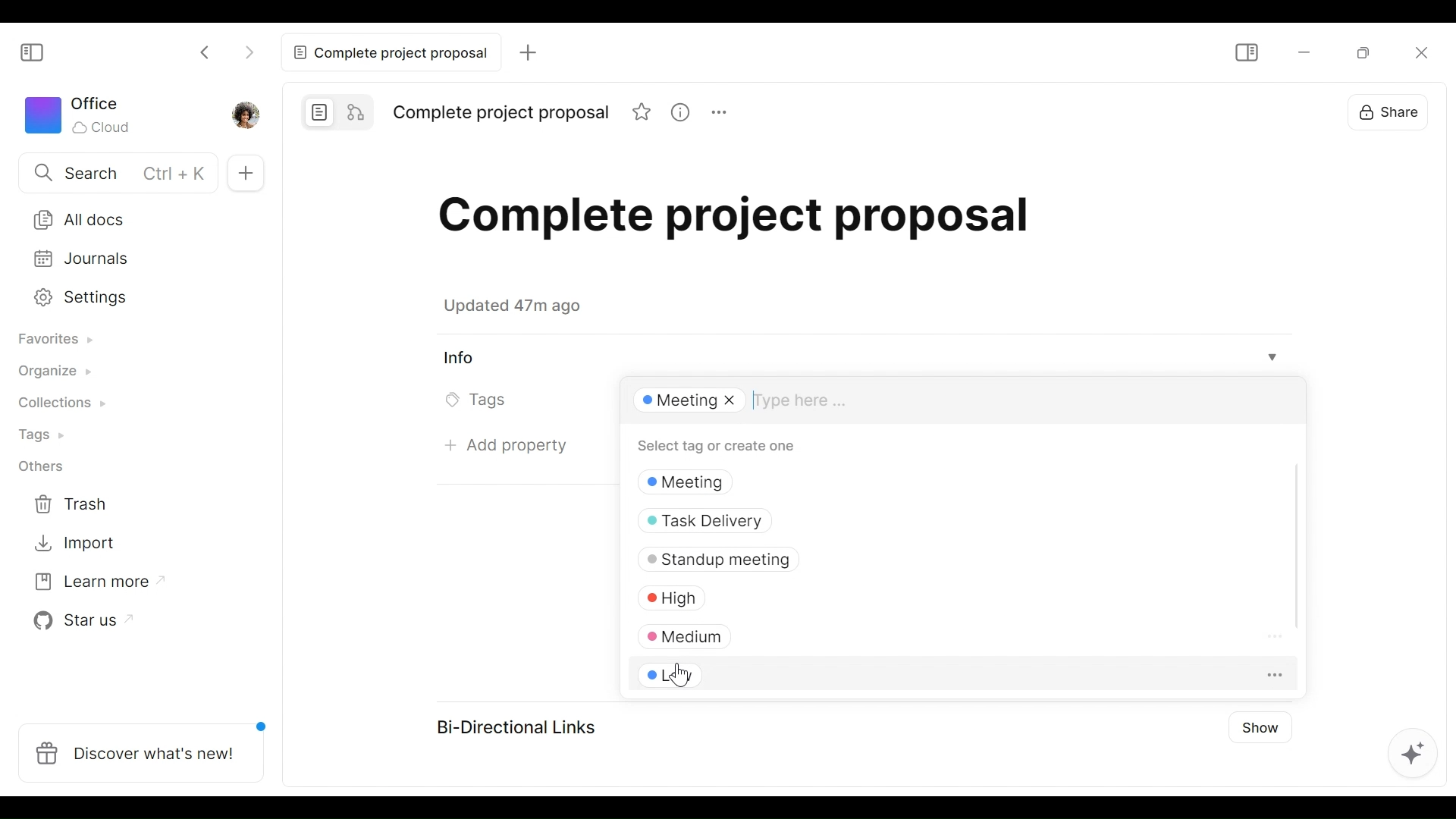 This screenshot has height=819, width=1456. I want to click on Search, so click(112, 172).